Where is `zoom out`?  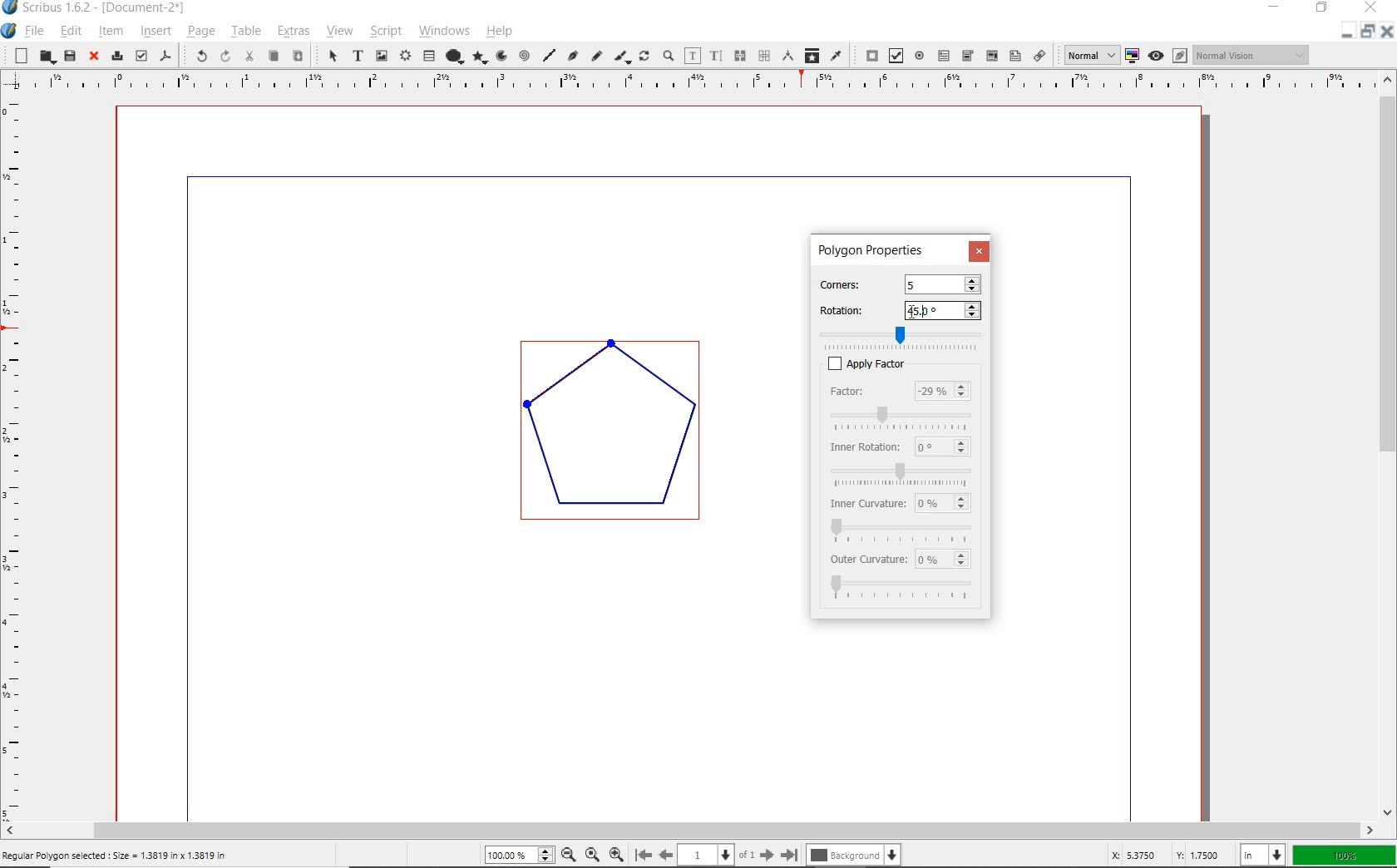
zoom out is located at coordinates (569, 855).